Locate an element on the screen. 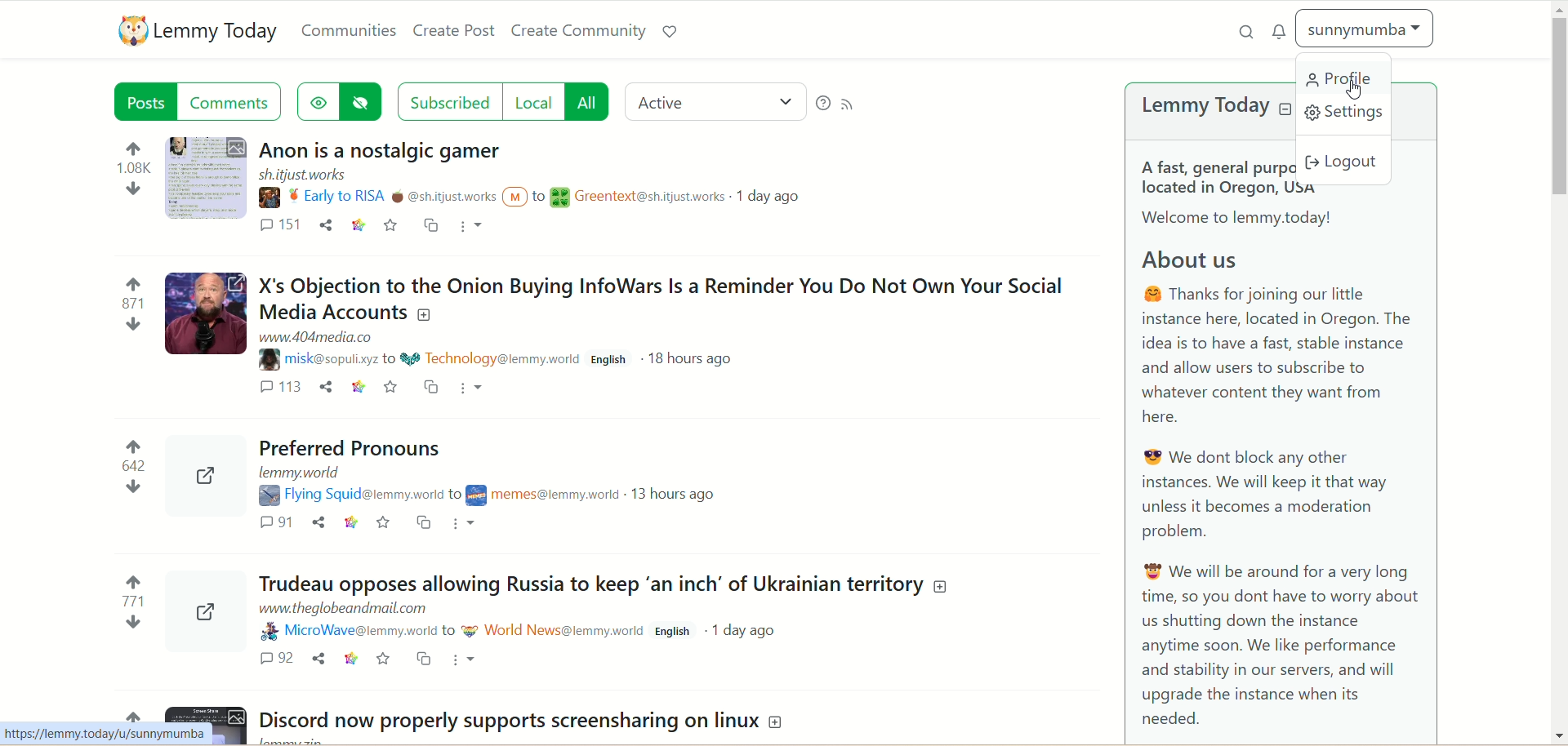 The height and width of the screenshot is (746, 1568). share is located at coordinates (326, 225).